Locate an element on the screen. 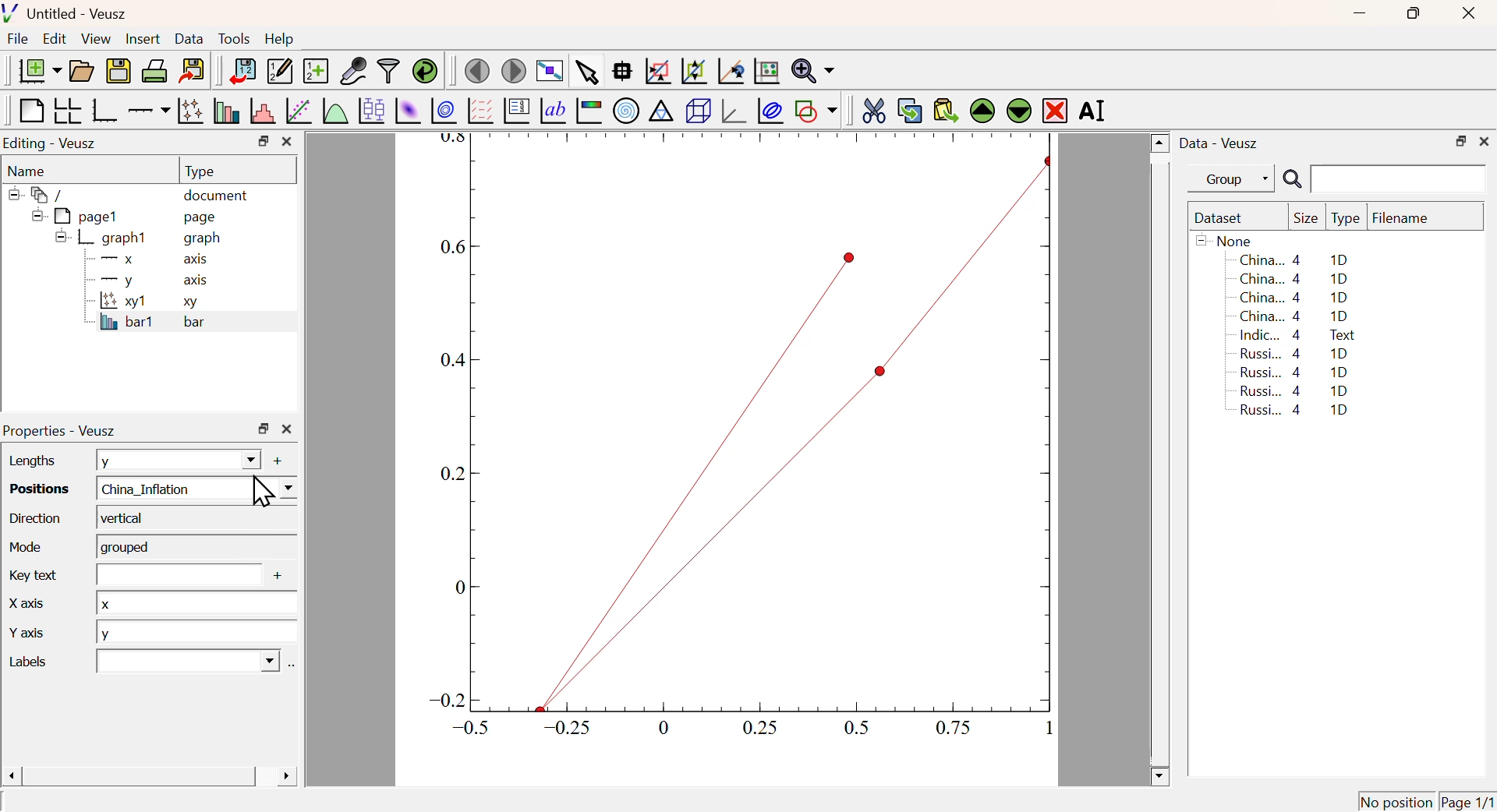 Image resolution: width=1497 pixels, height=812 pixels. Plot Vector Field is located at coordinates (478, 110).